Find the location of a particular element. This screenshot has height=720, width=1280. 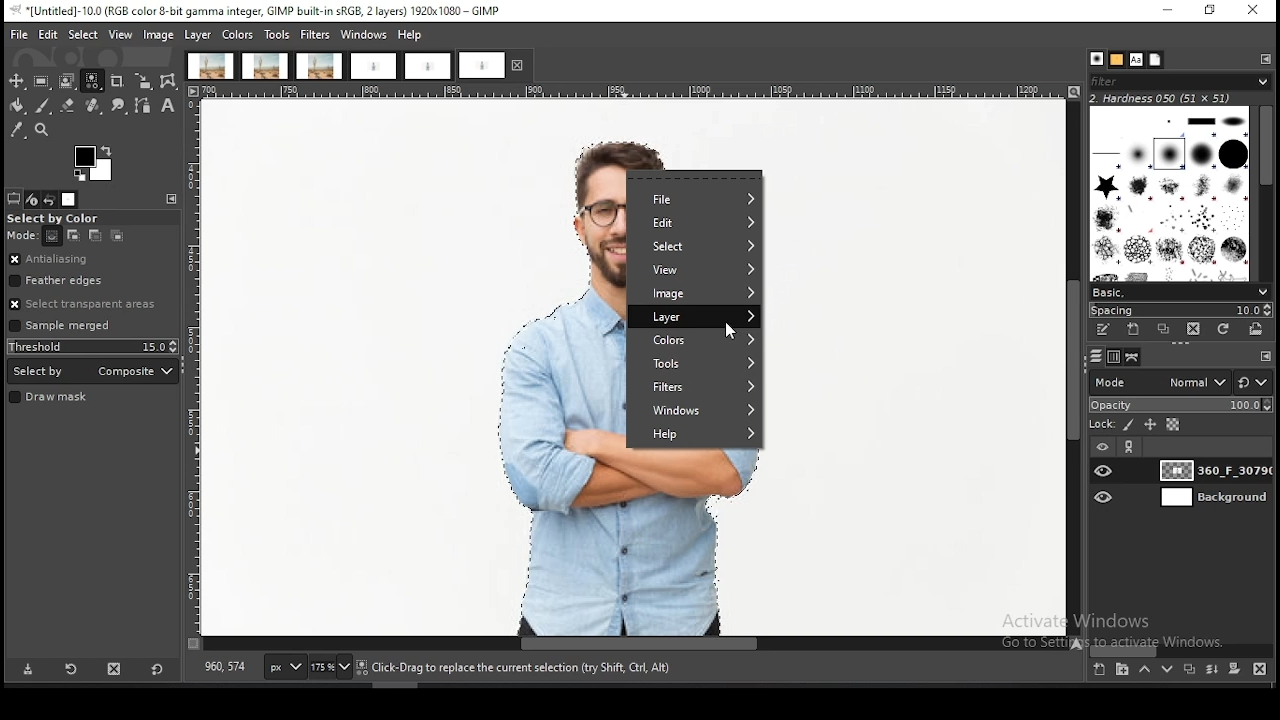

units is located at coordinates (284, 667).